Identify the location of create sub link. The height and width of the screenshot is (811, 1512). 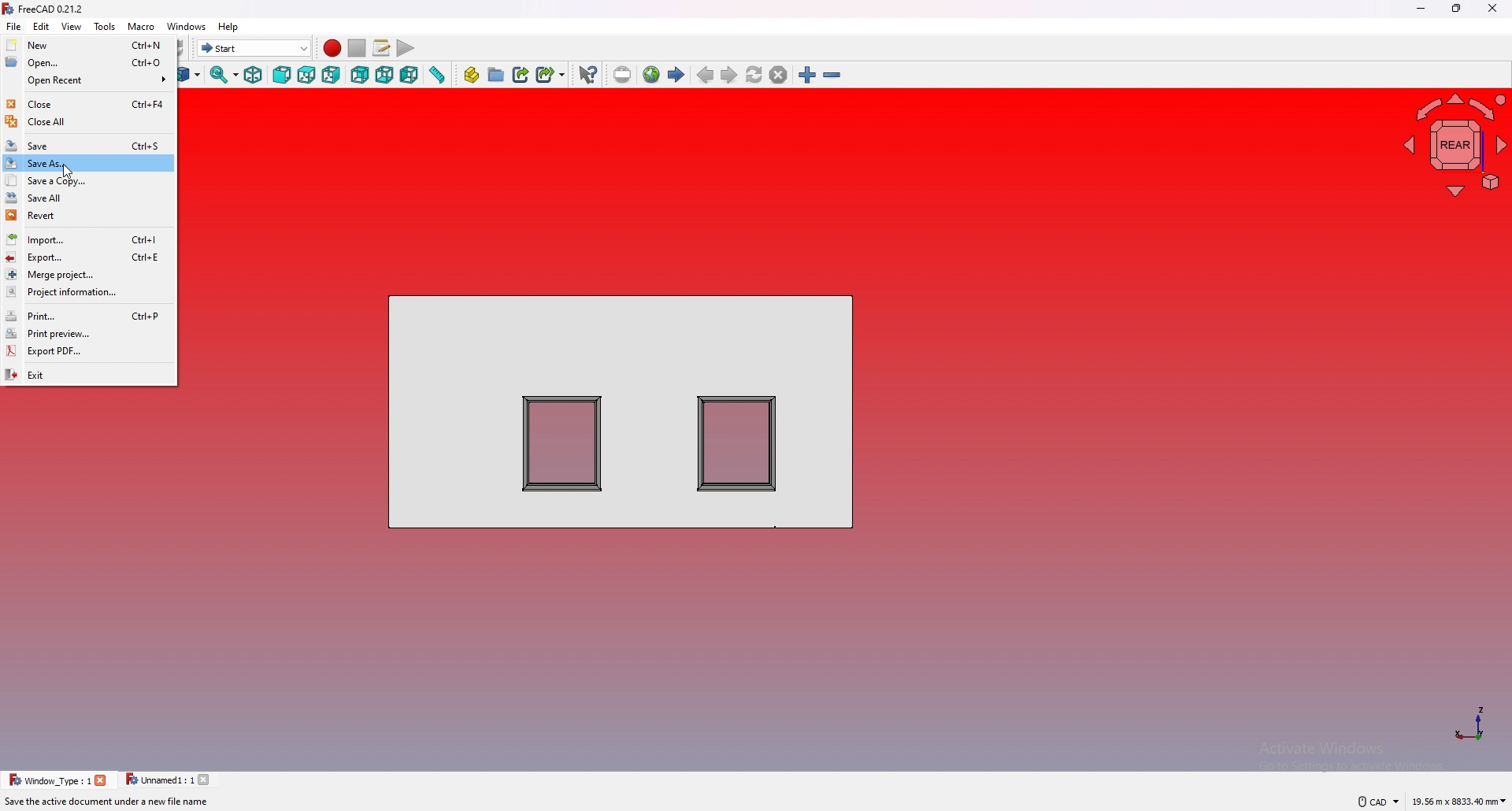
(550, 75).